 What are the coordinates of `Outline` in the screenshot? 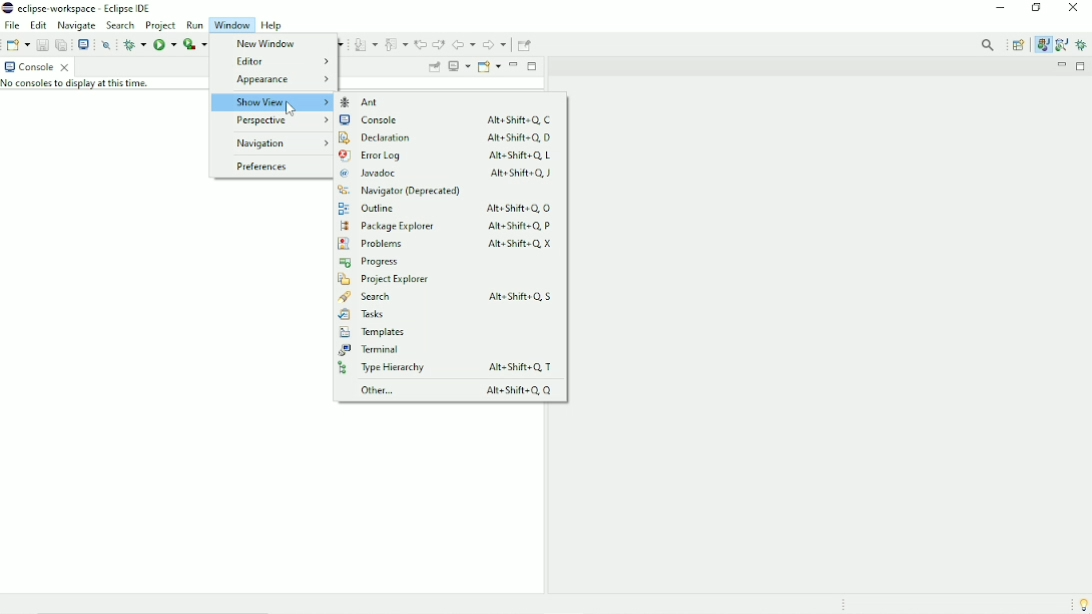 It's located at (443, 208).